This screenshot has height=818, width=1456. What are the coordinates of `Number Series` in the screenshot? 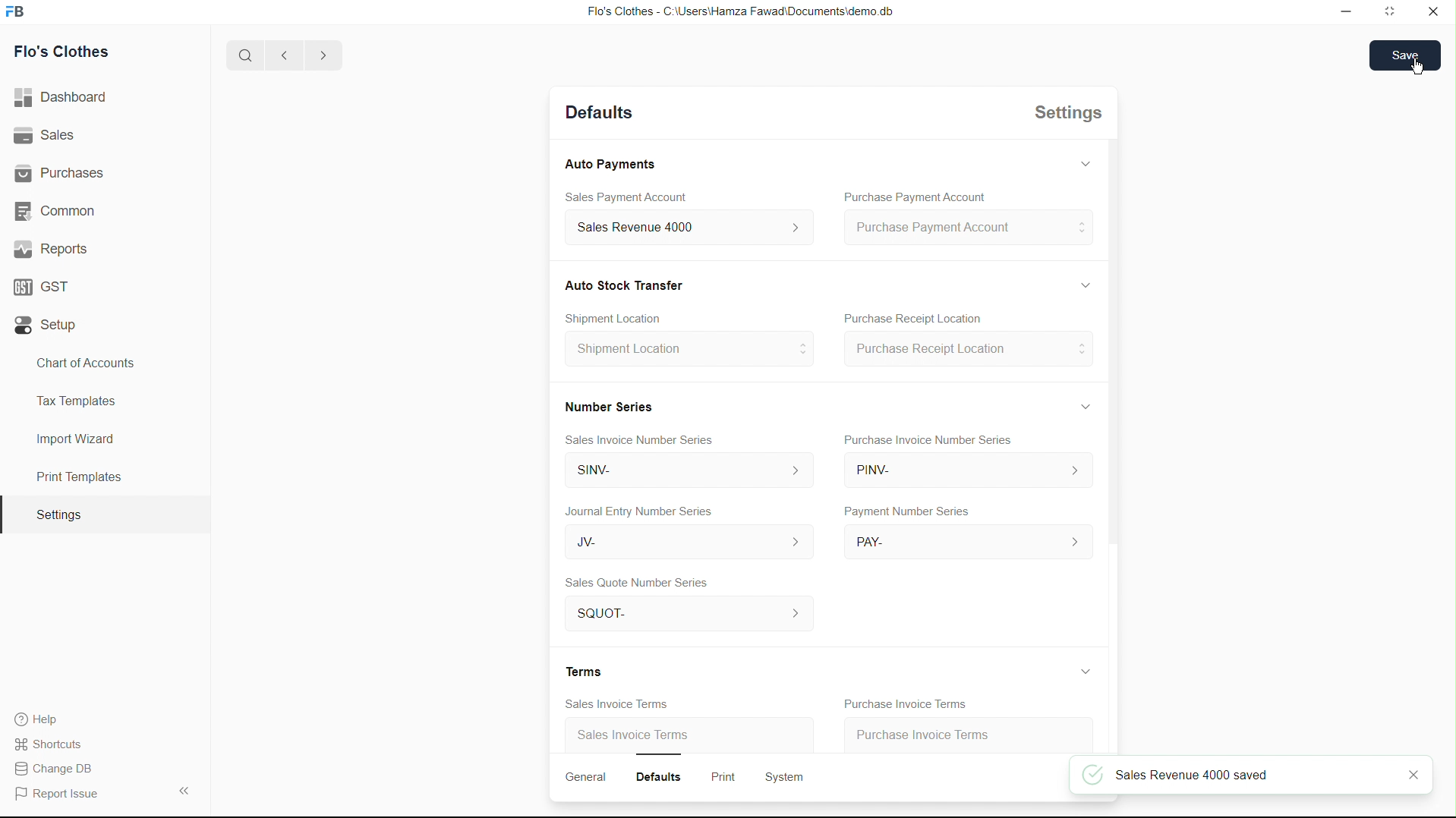 It's located at (615, 408).